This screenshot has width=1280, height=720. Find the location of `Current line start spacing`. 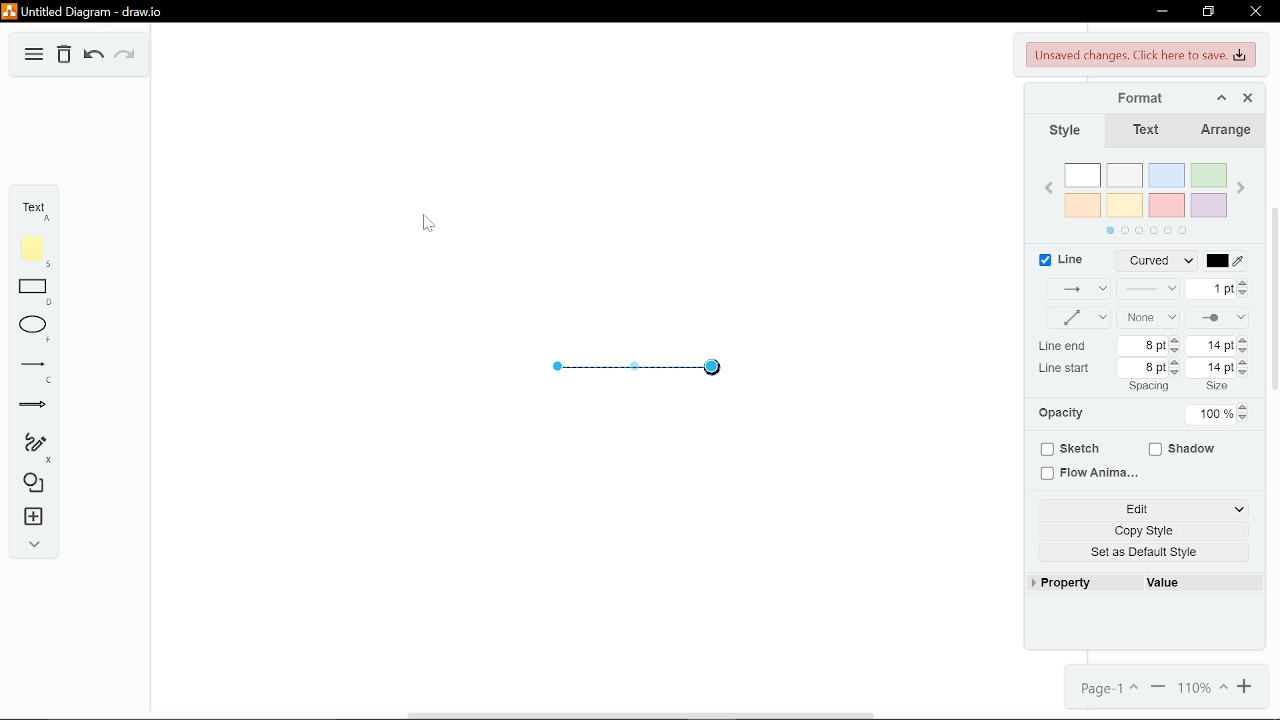

Current line start spacing is located at coordinates (1141, 368).